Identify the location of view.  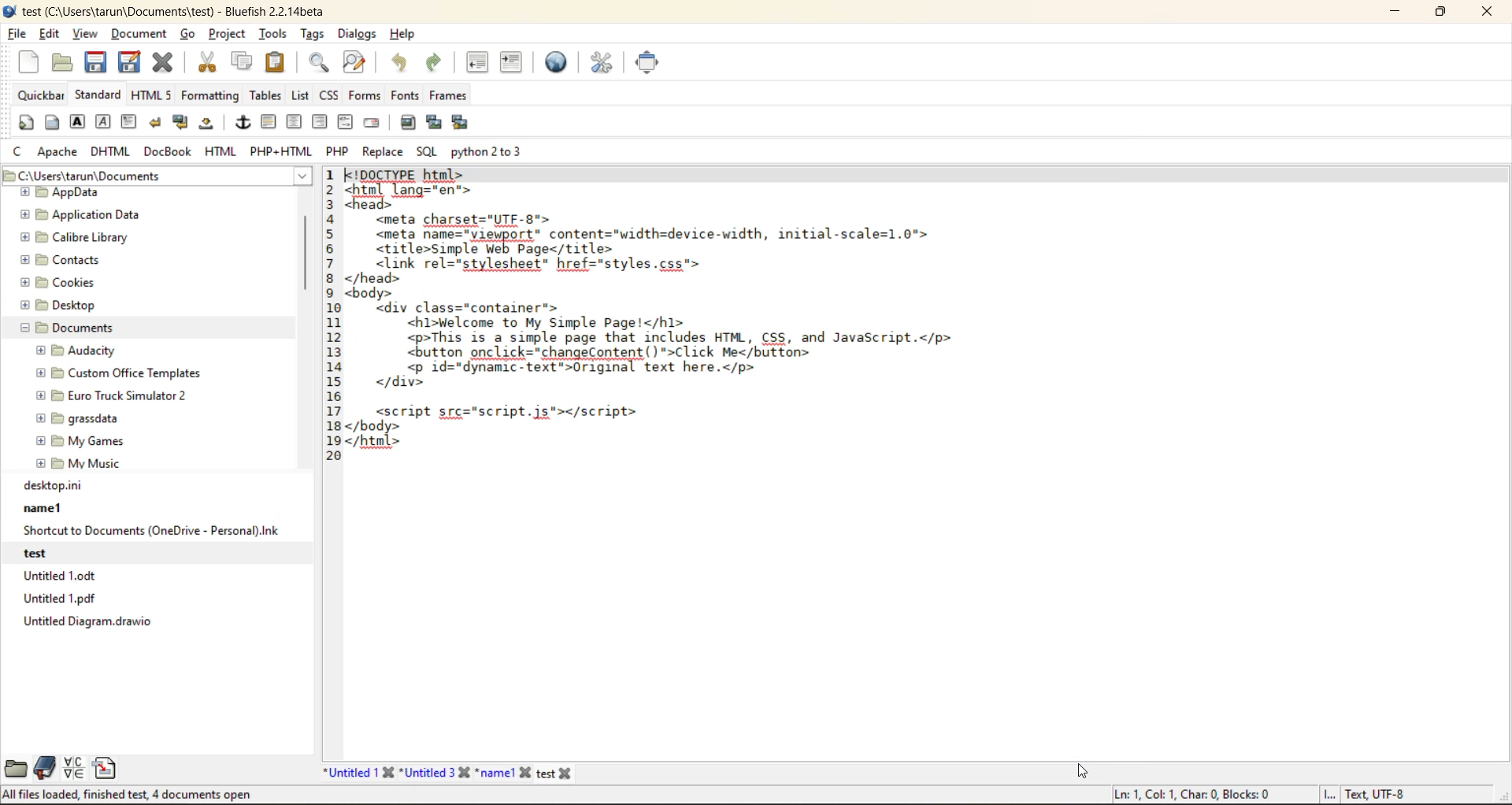
(86, 35).